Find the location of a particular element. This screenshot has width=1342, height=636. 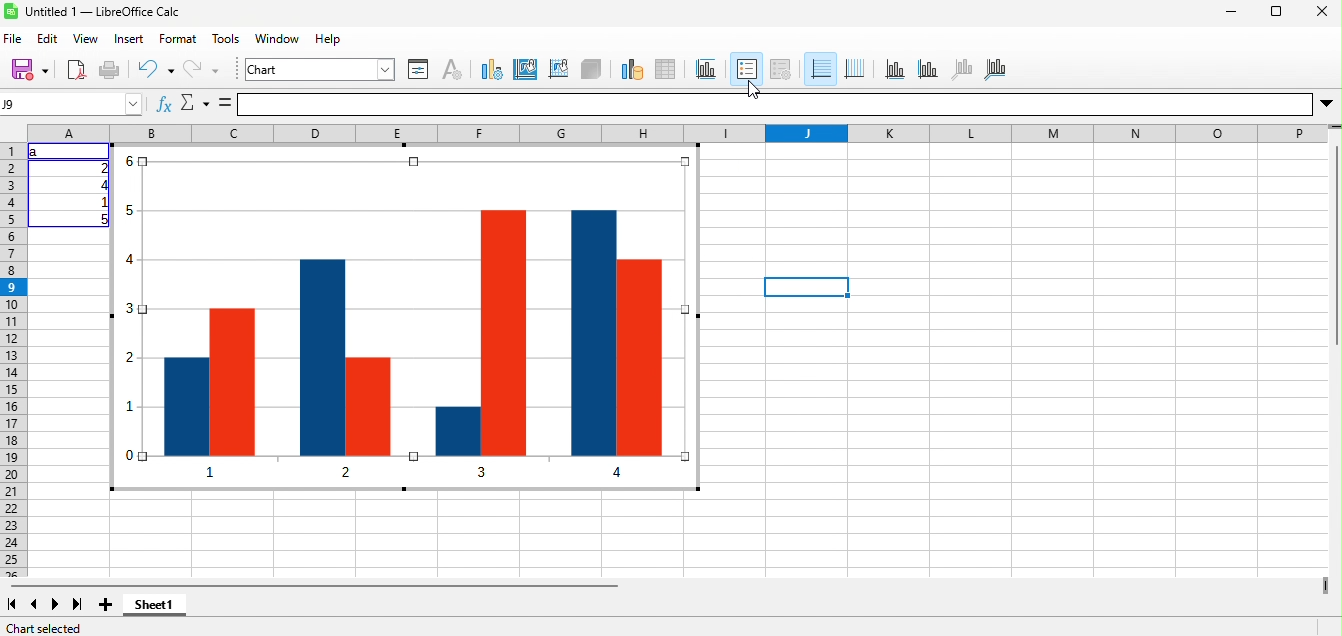

chart element is located at coordinates (320, 70).